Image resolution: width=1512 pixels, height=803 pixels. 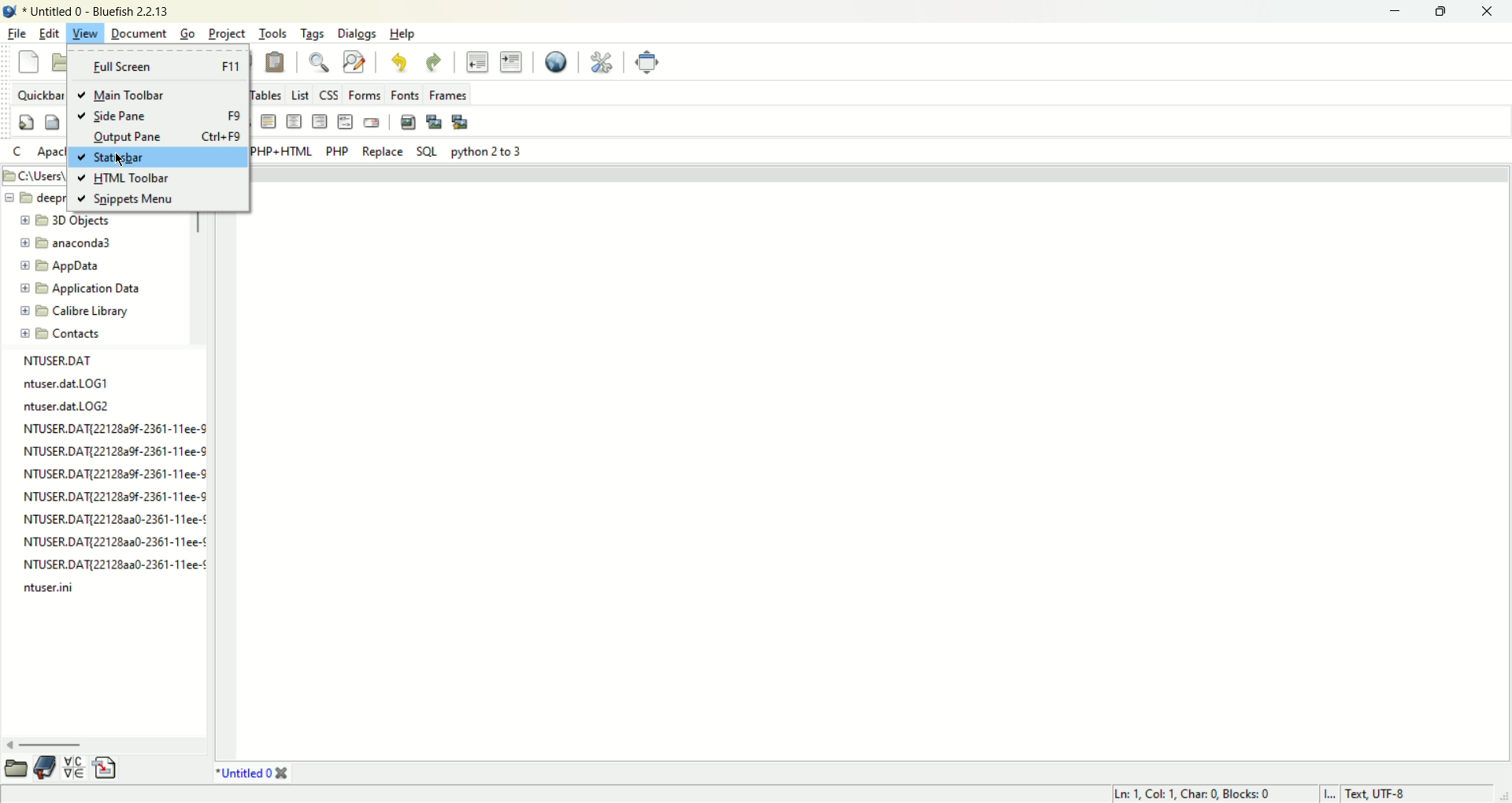 I want to click on new file, so click(x=28, y=62).